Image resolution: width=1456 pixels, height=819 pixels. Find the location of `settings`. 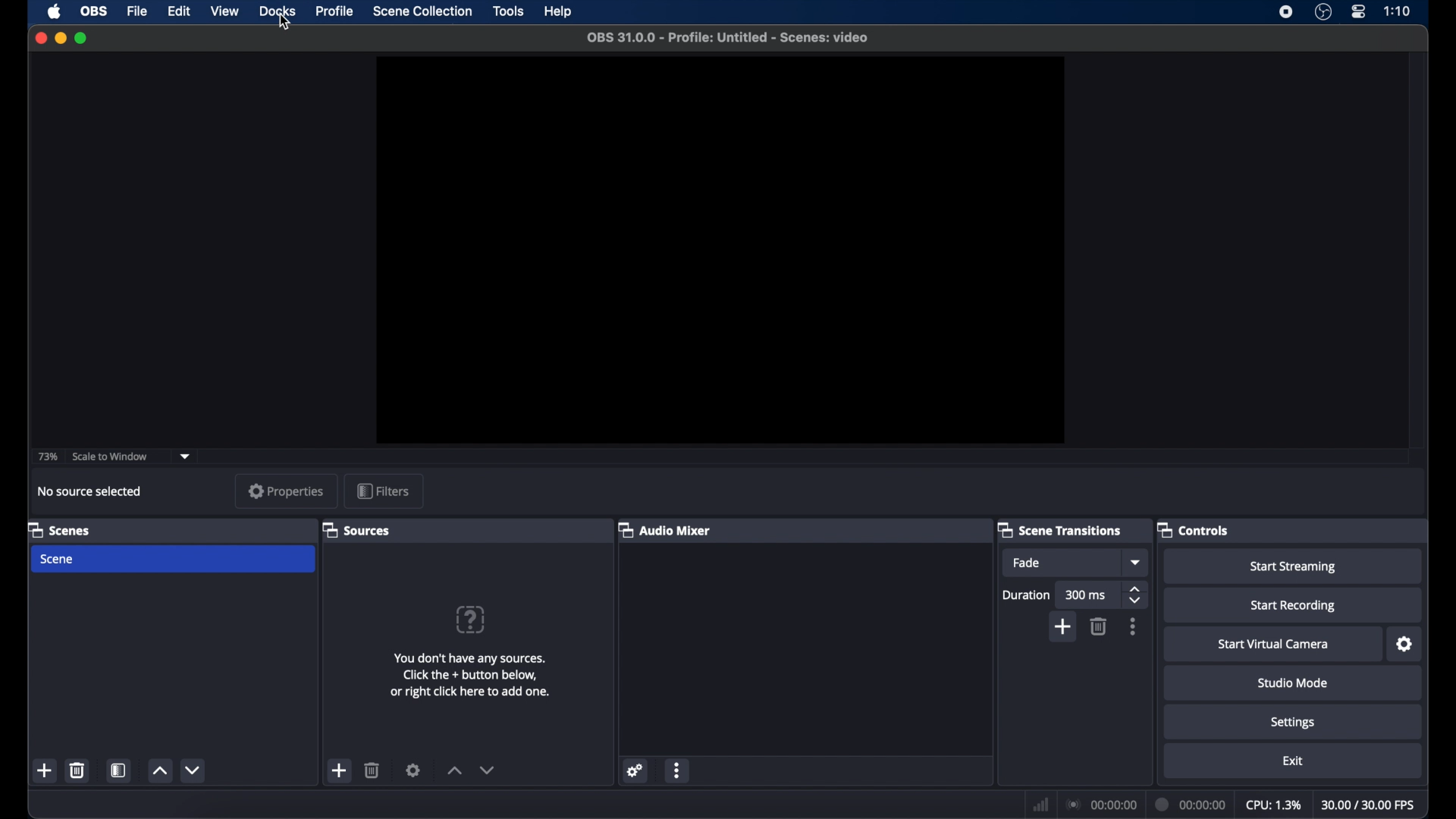

settings is located at coordinates (635, 770).